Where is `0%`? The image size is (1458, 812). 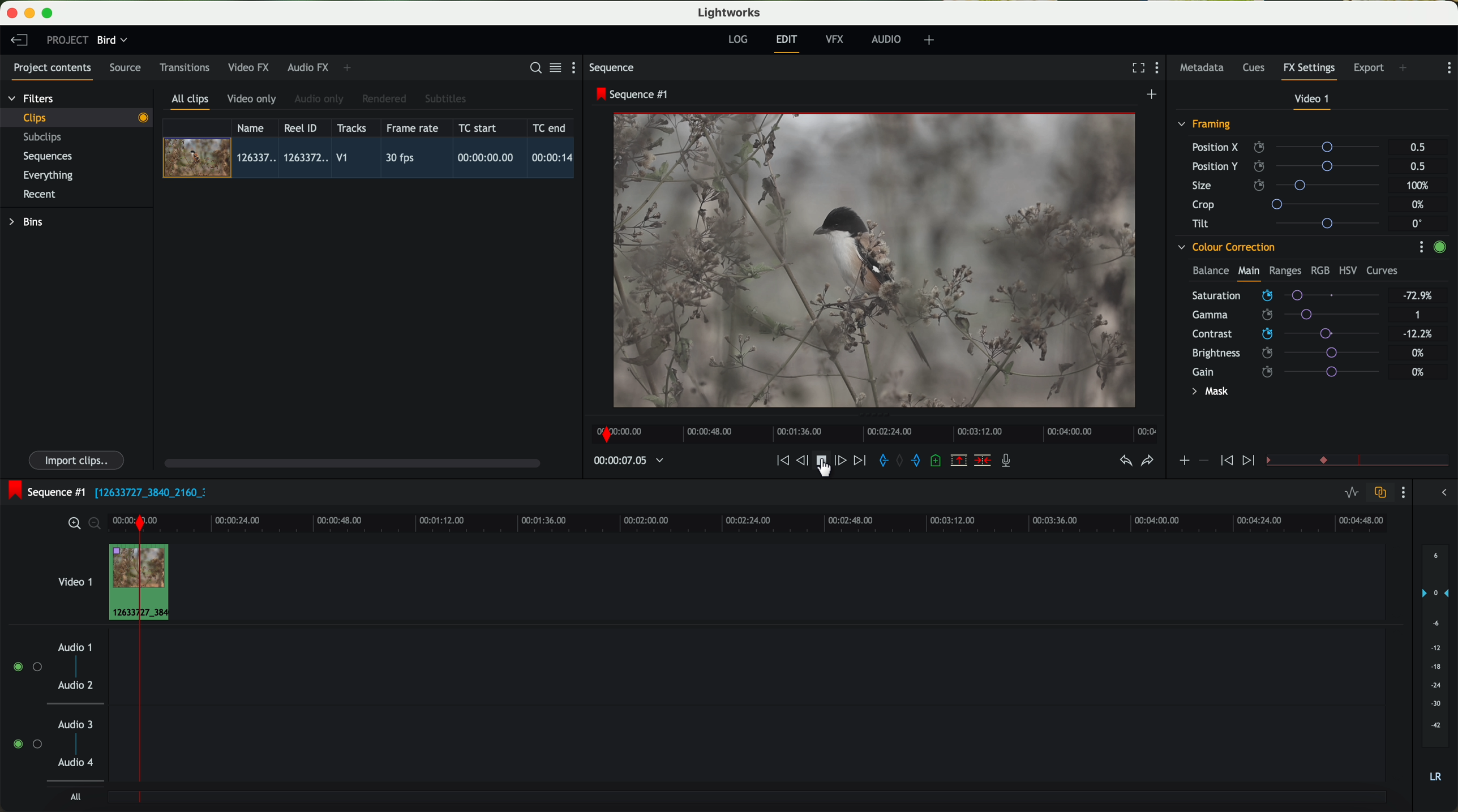 0% is located at coordinates (1418, 372).